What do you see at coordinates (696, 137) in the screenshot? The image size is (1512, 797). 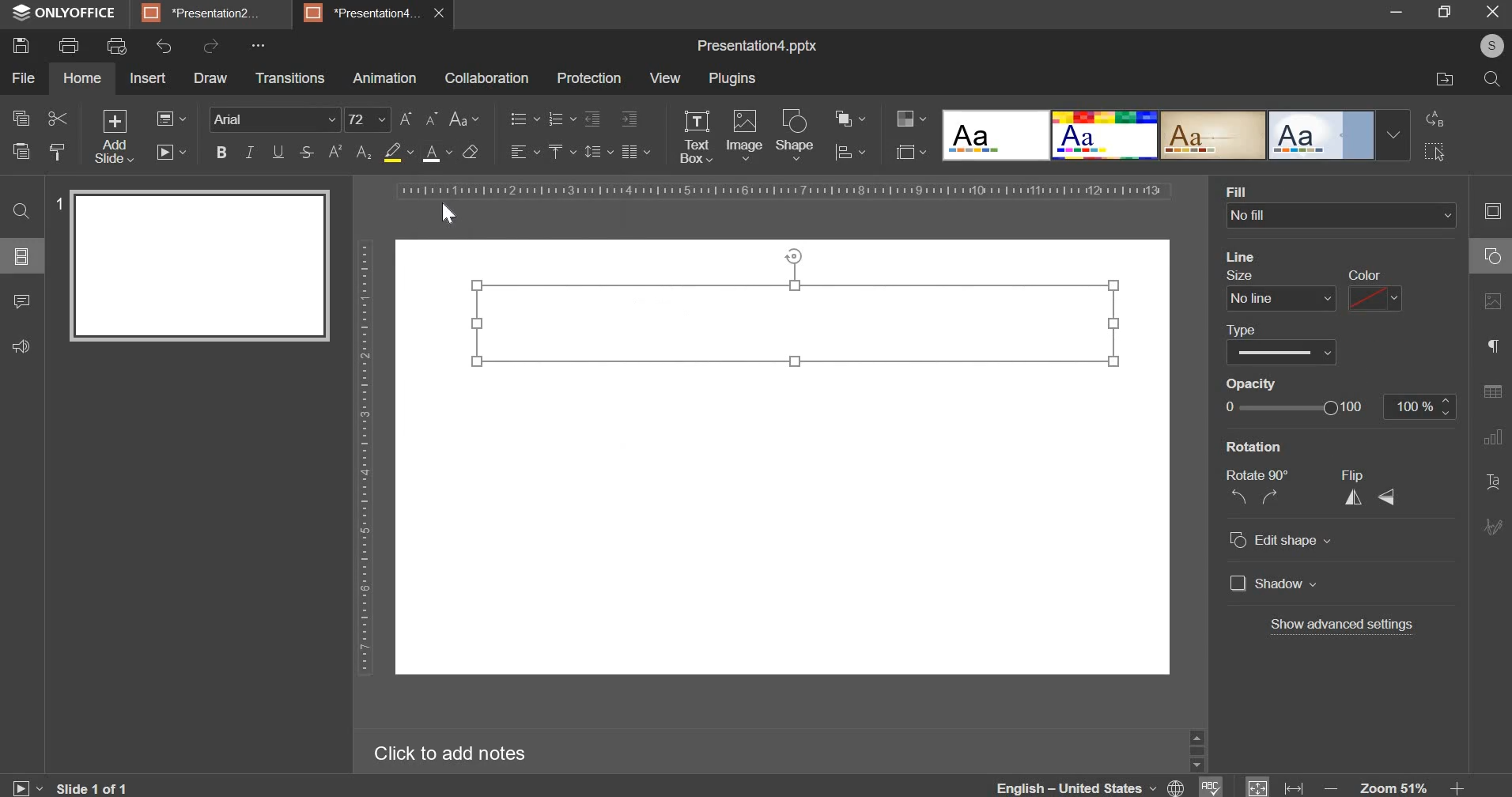 I see `text box` at bounding box center [696, 137].